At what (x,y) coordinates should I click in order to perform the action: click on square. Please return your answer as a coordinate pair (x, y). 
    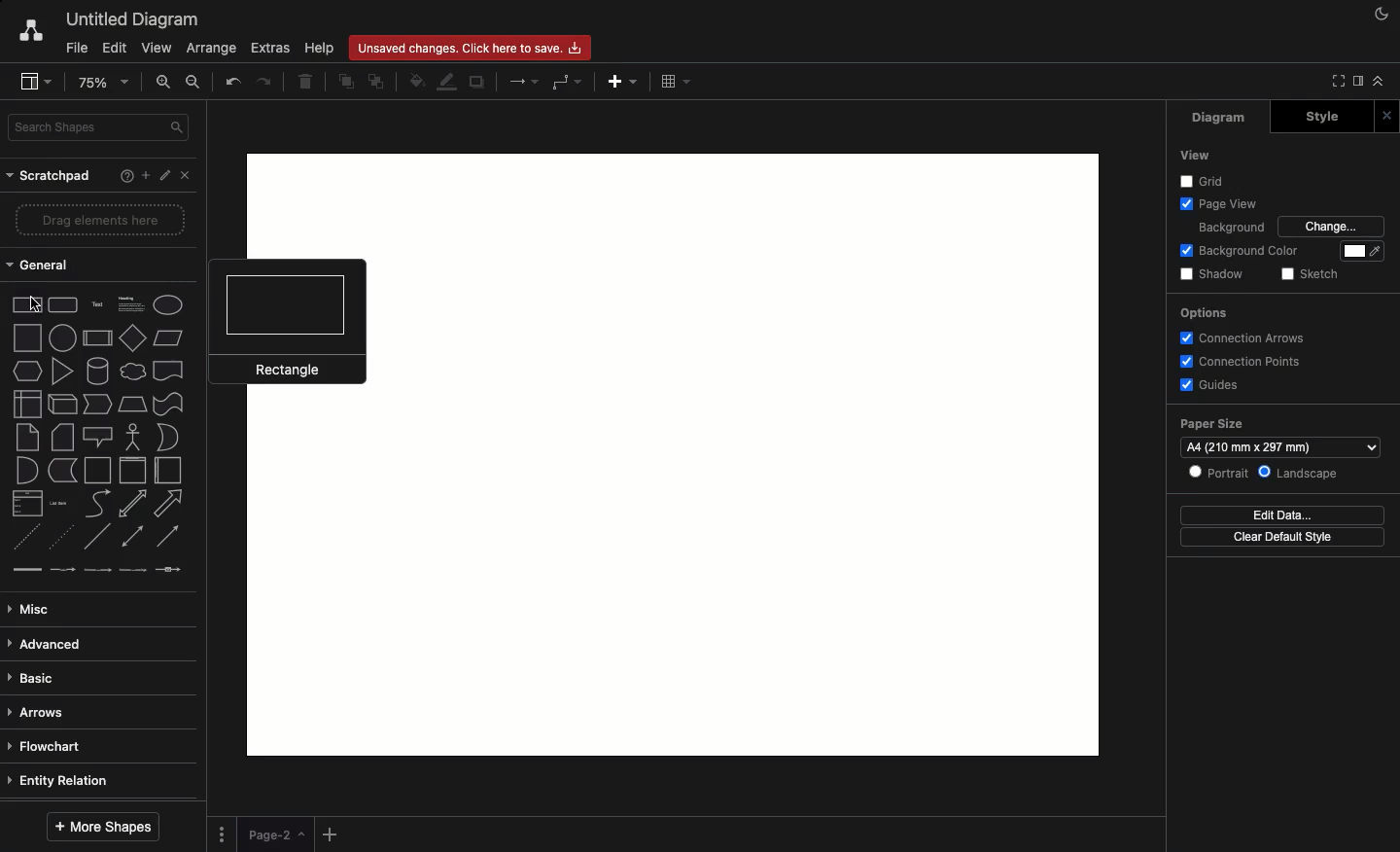
    Looking at the image, I should click on (29, 337).